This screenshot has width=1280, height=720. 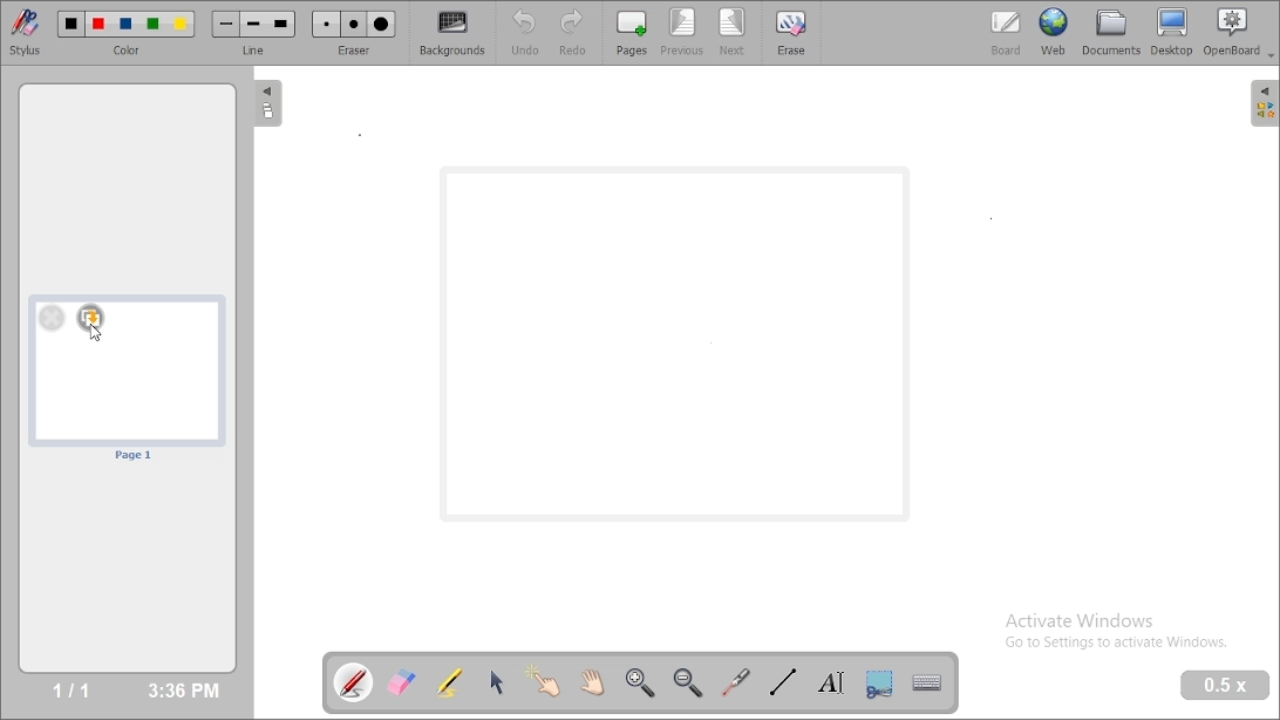 What do you see at coordinates (1173, 32) in the screenshot?
I see `desktop` at bounding box center [1173, 32].